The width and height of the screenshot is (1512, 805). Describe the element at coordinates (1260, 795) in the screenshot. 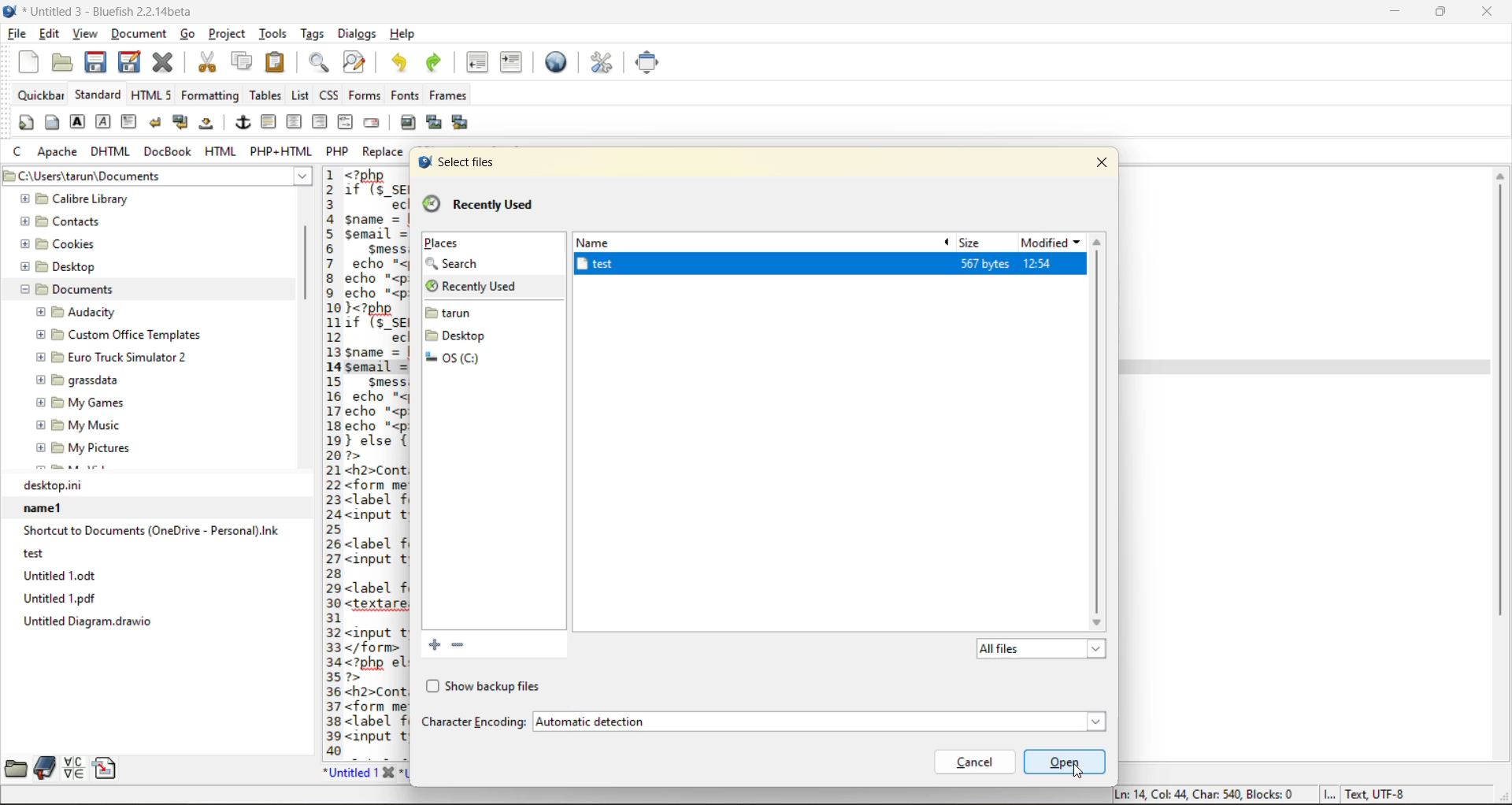

I see `metadata` at that location.